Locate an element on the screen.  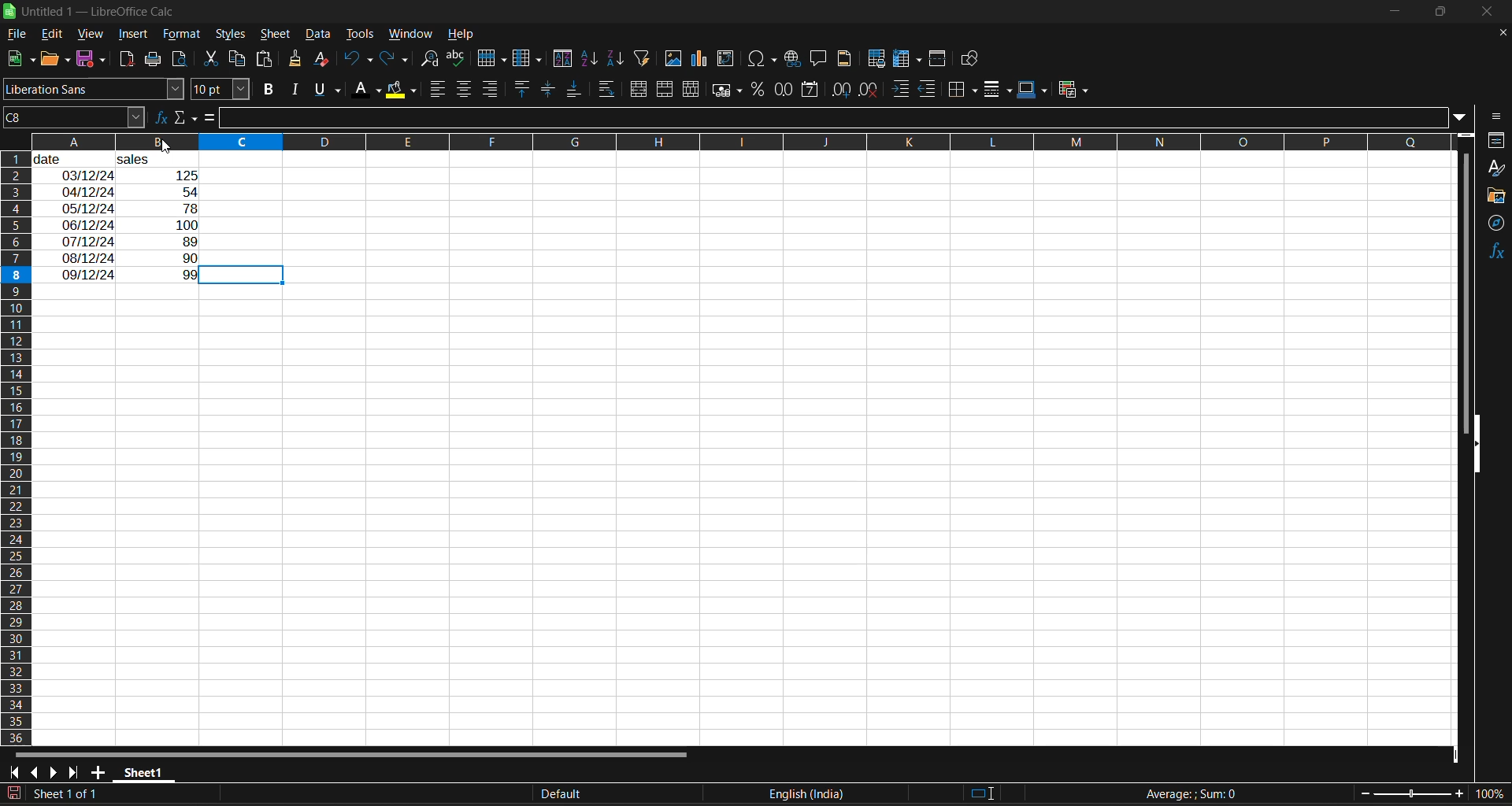
autofill is located at coordinates (647, 58).